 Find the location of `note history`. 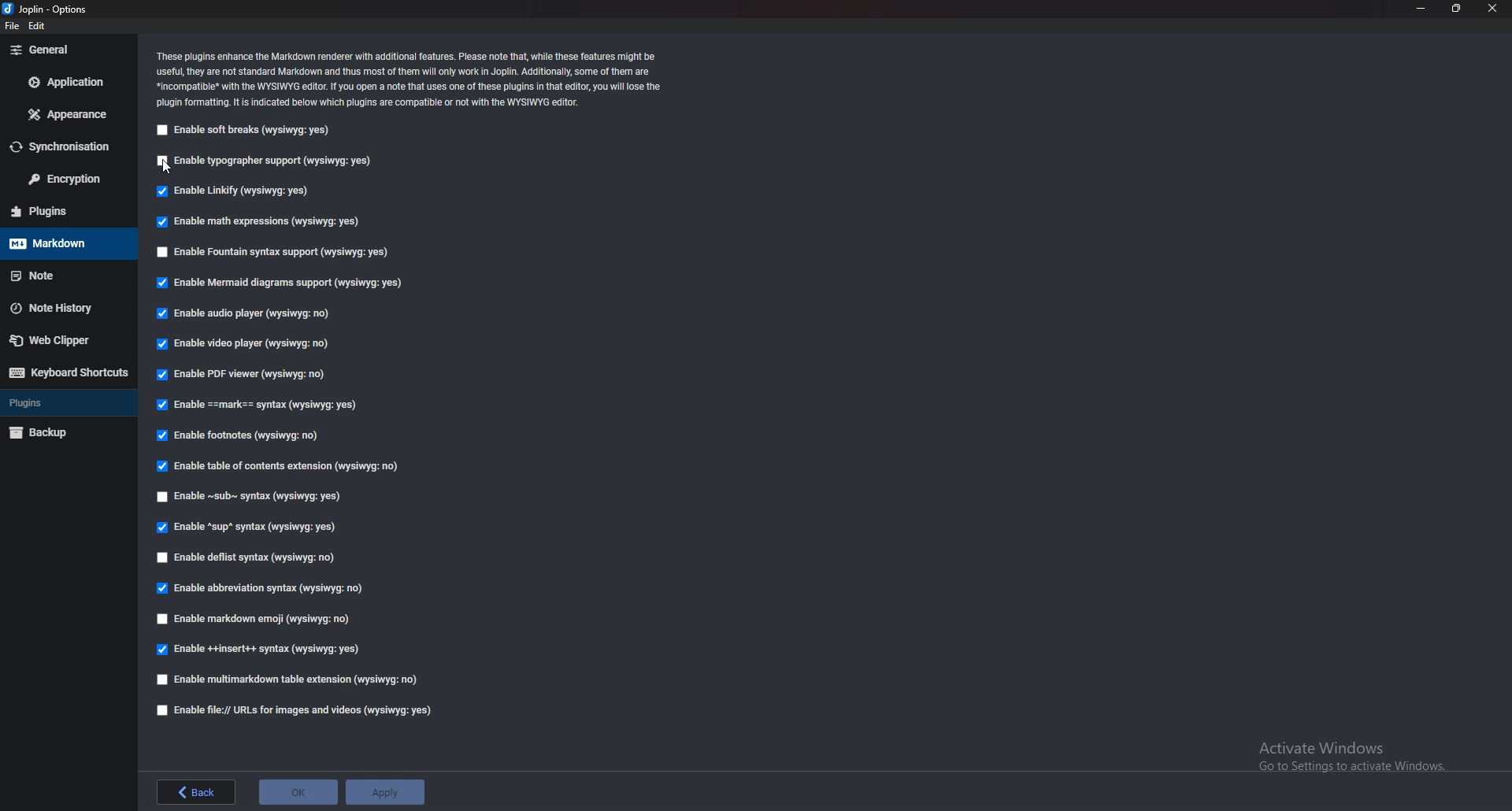

note history is located at coordinates (62, 308).